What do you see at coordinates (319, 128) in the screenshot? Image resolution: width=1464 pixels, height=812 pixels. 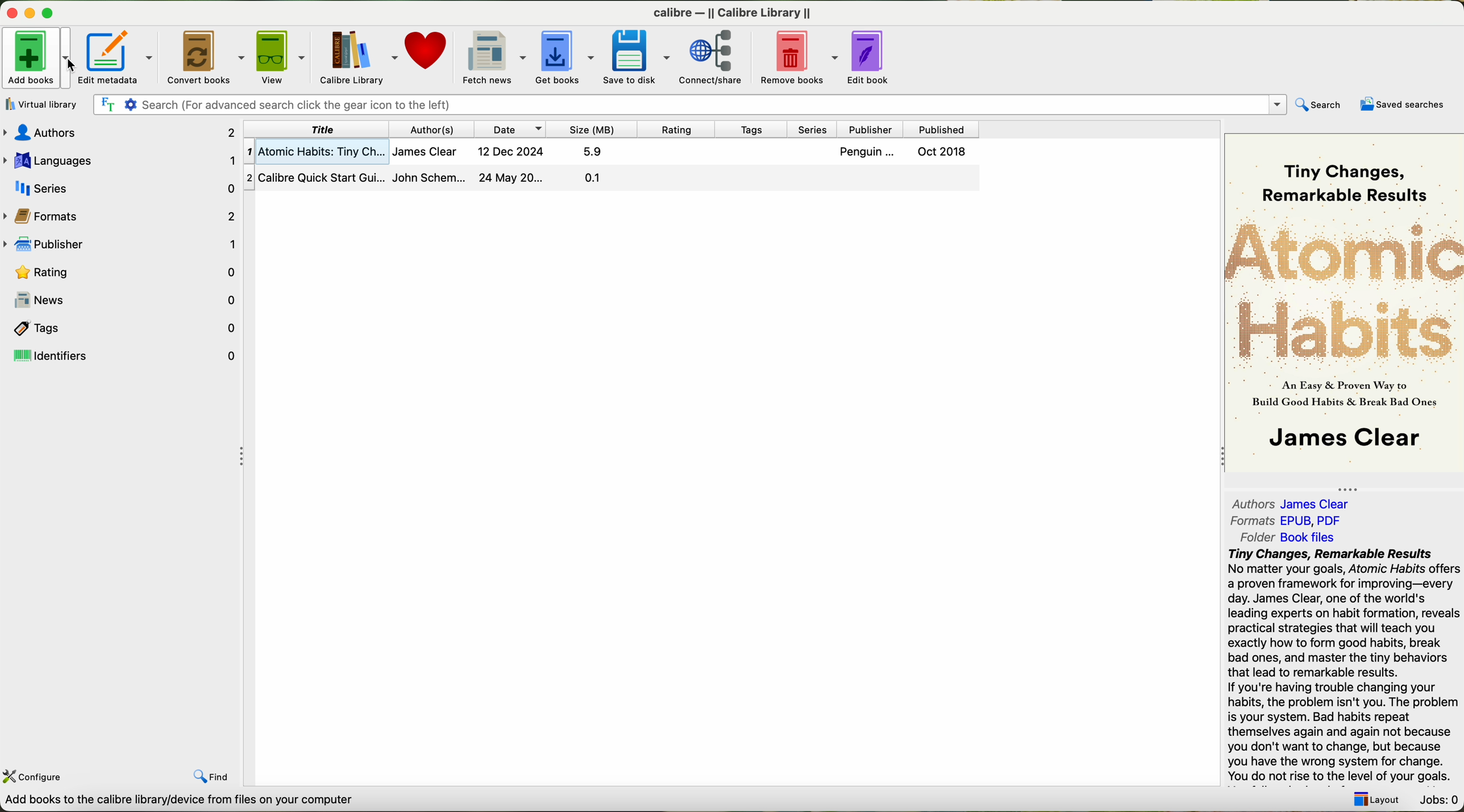 I see `title` at bounding box center [319, 128].